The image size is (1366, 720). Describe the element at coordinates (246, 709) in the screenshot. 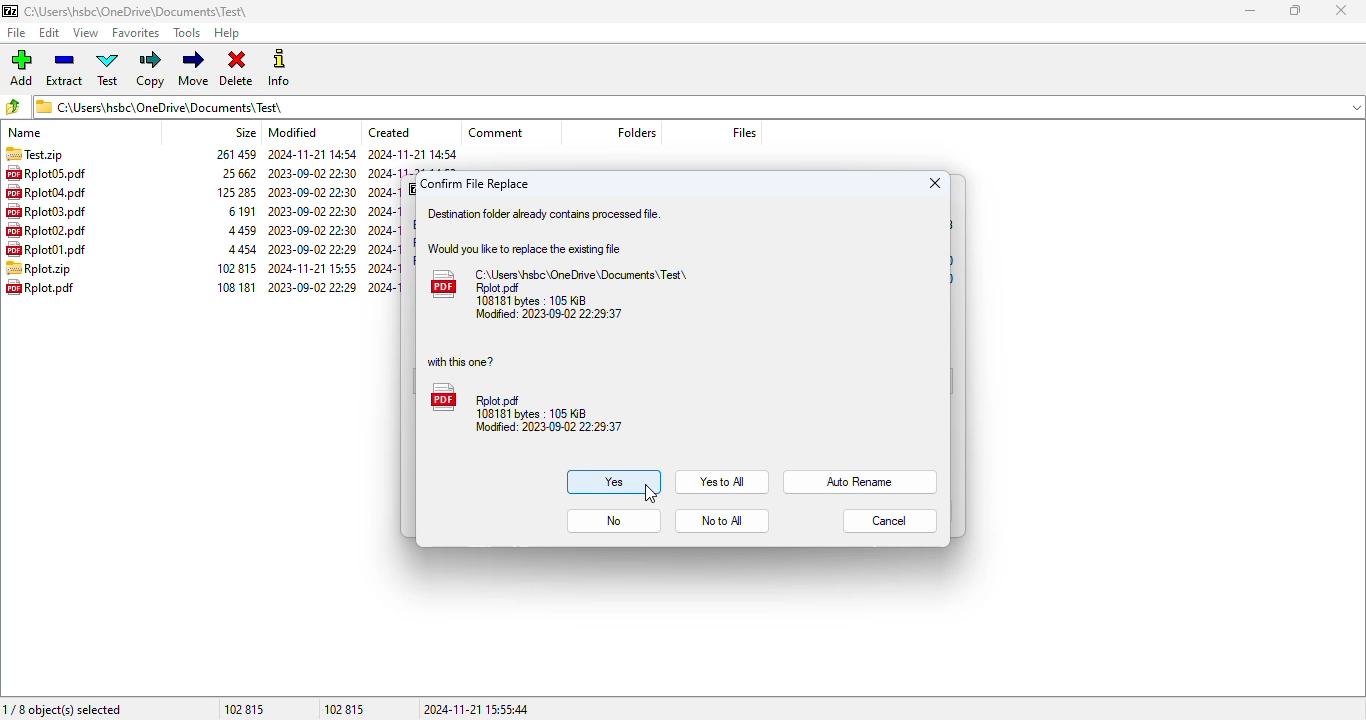

I see `102 815` at that location.